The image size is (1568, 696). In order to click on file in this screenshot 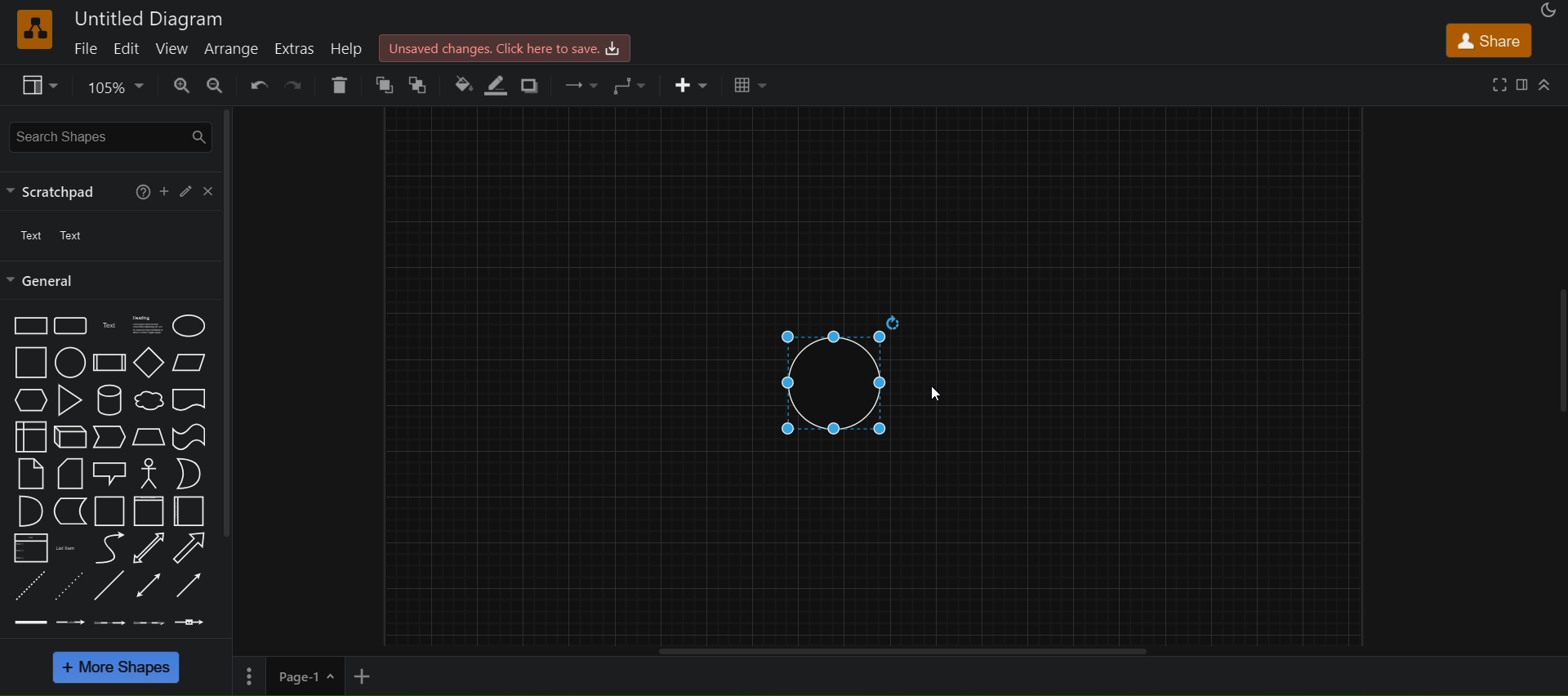, I will do `click(85, 47)`.